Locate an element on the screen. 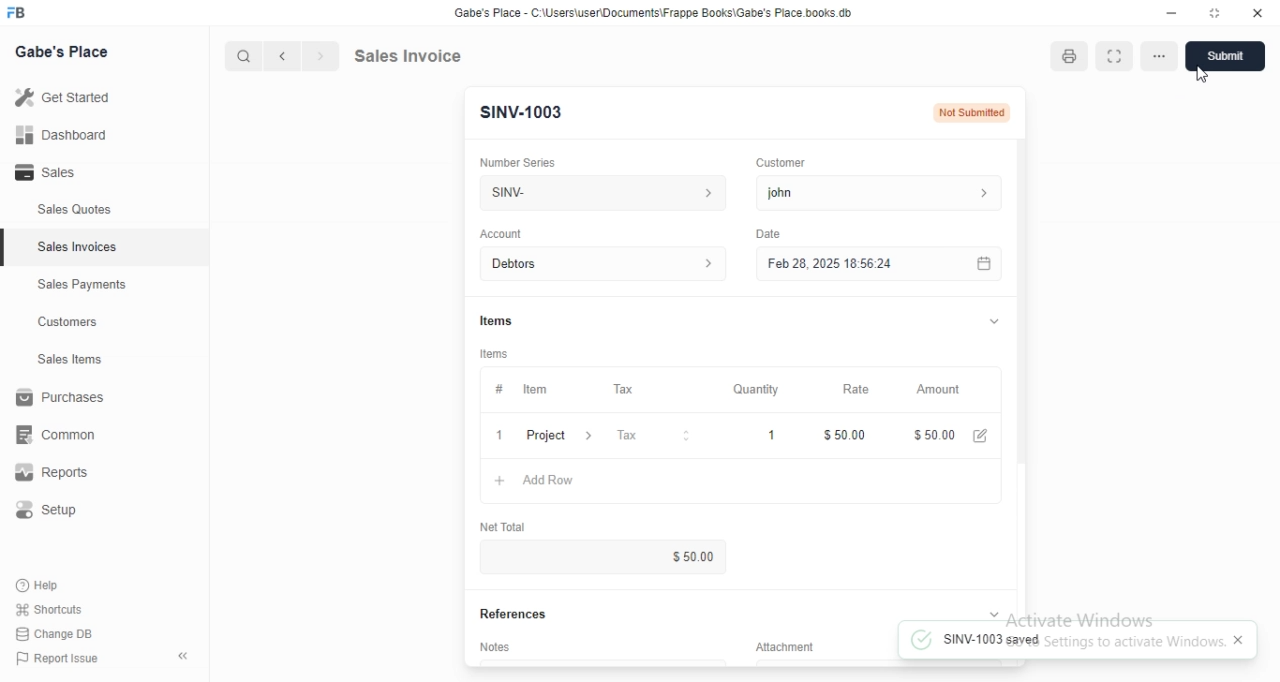 The width and height of the screenshot is (1280, 682). PP Report Issue. is located at coordinates (64, 662).